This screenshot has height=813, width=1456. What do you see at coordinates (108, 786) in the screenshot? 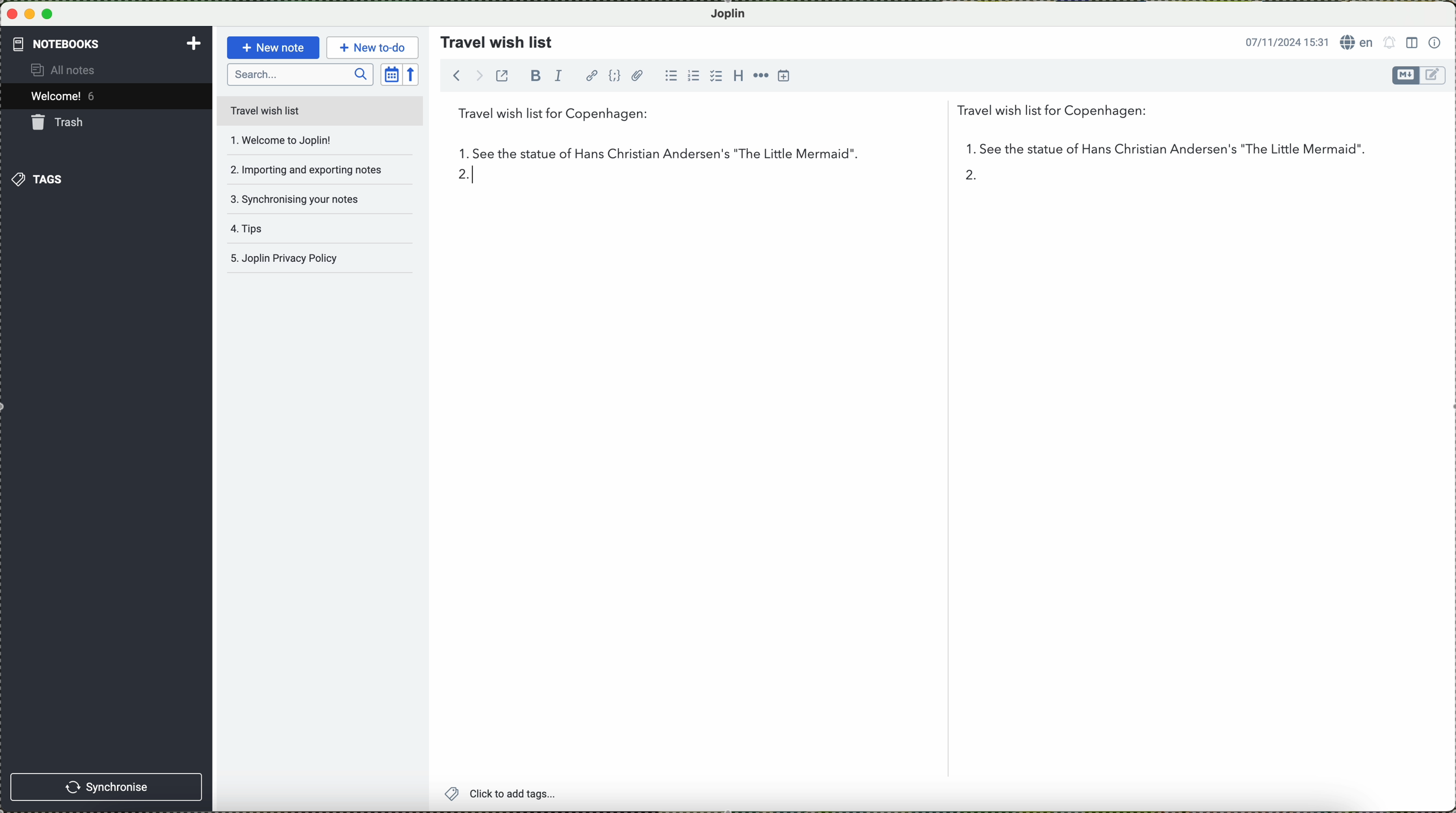
I see `synchronise button` at bounding box center [108, 786].